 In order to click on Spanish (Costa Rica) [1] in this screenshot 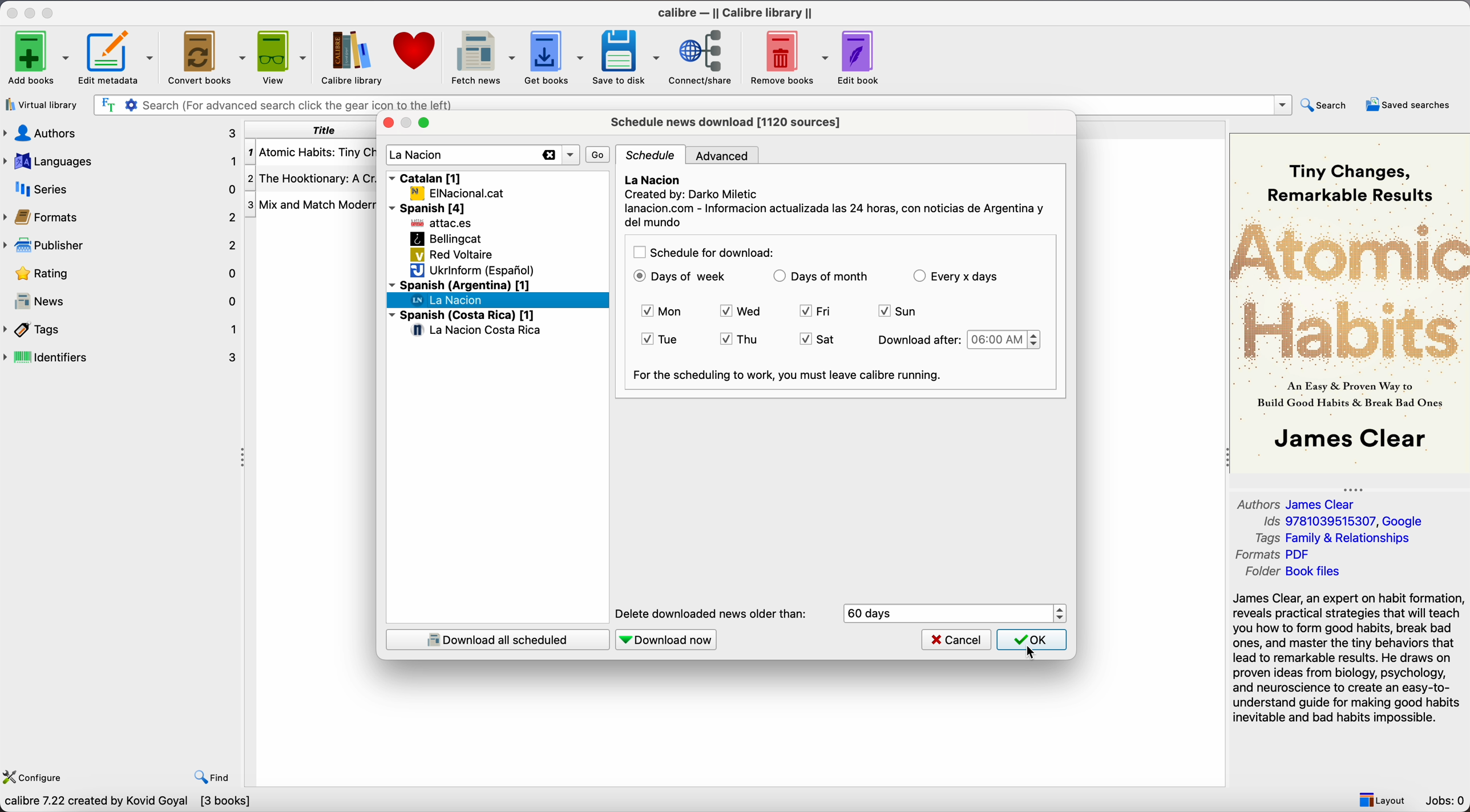, I will do `click(462, 316)`.